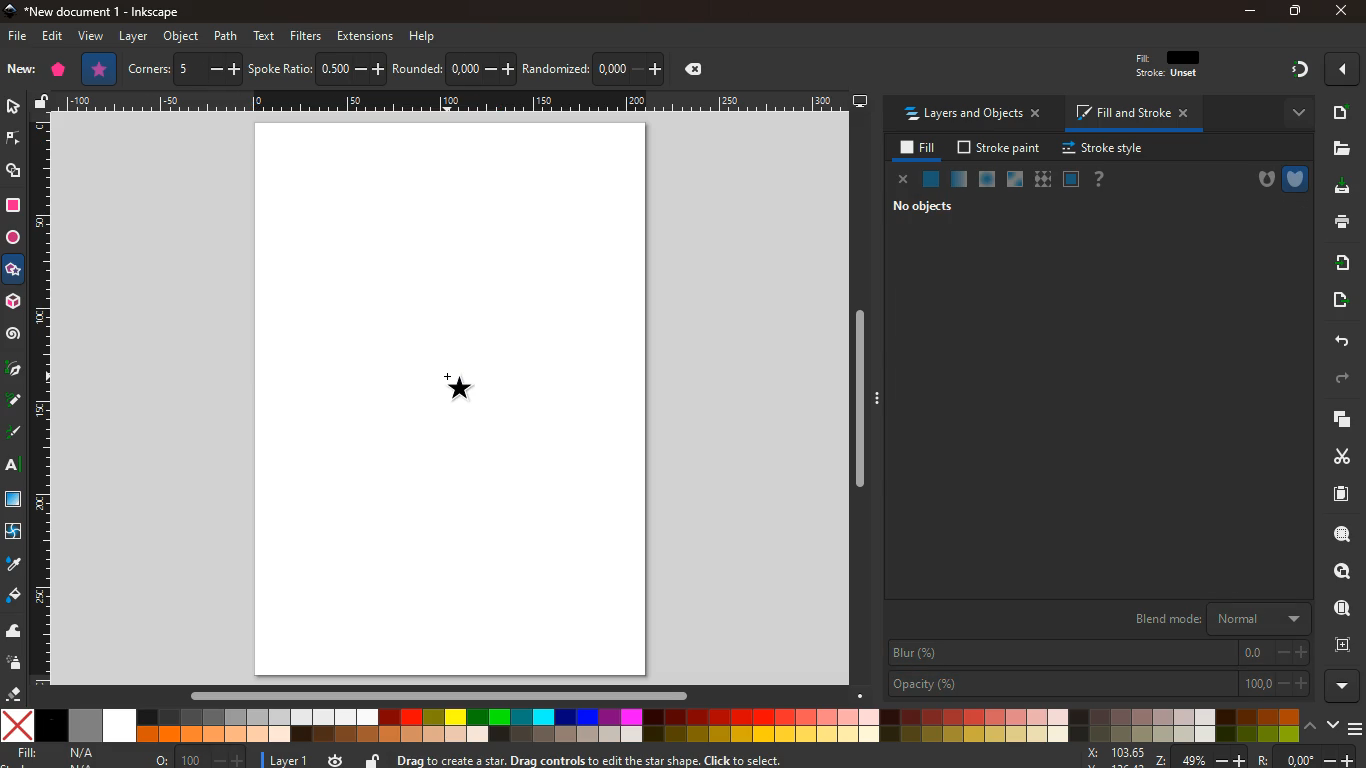 This screenshot has width=1366, height=768. What do you see at coordinates (1297, 179) in the screenshot?
I see `shield` at bounding box center [1297, 179].